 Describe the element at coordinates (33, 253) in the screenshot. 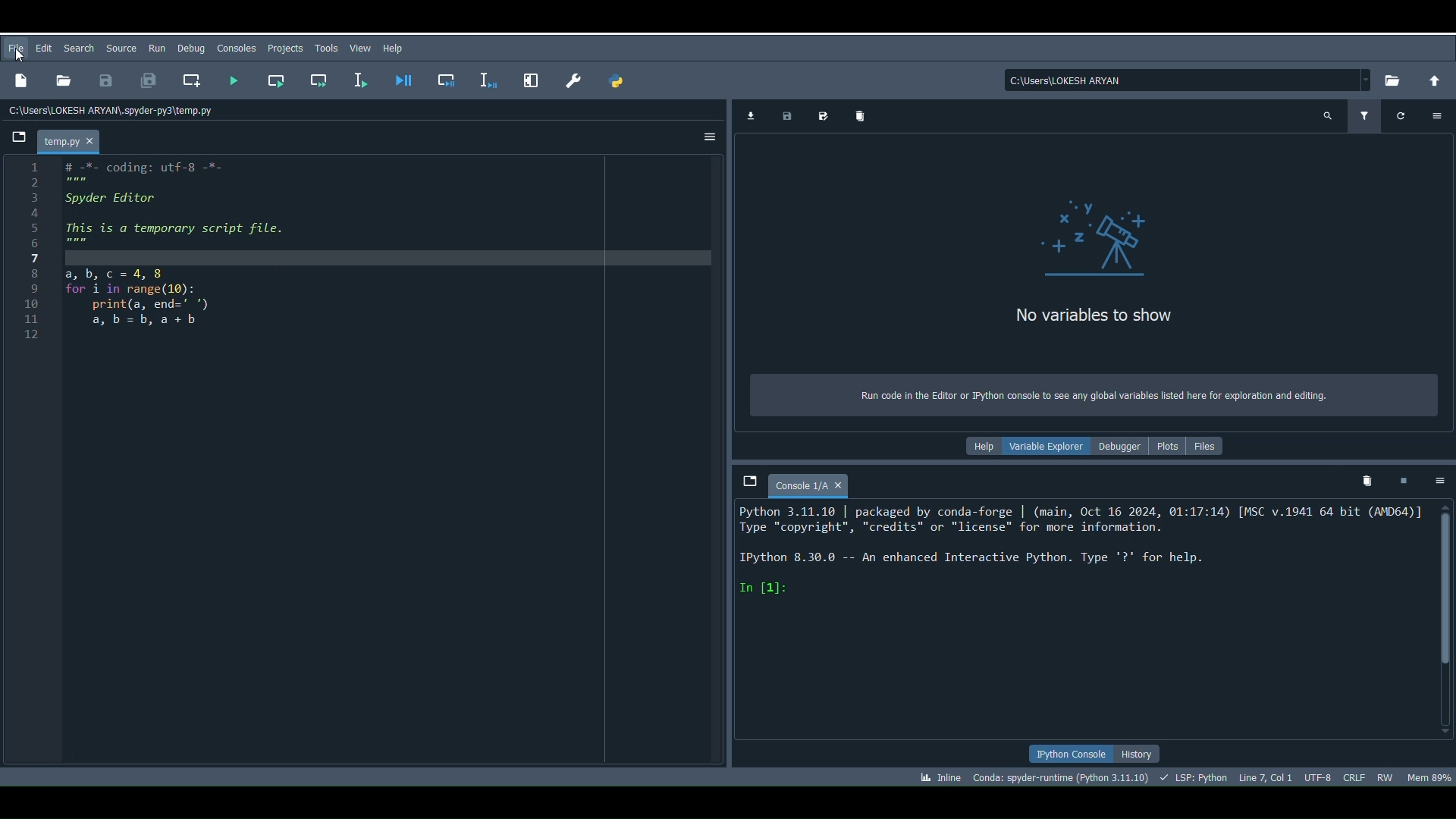

I see `line number` at that location.